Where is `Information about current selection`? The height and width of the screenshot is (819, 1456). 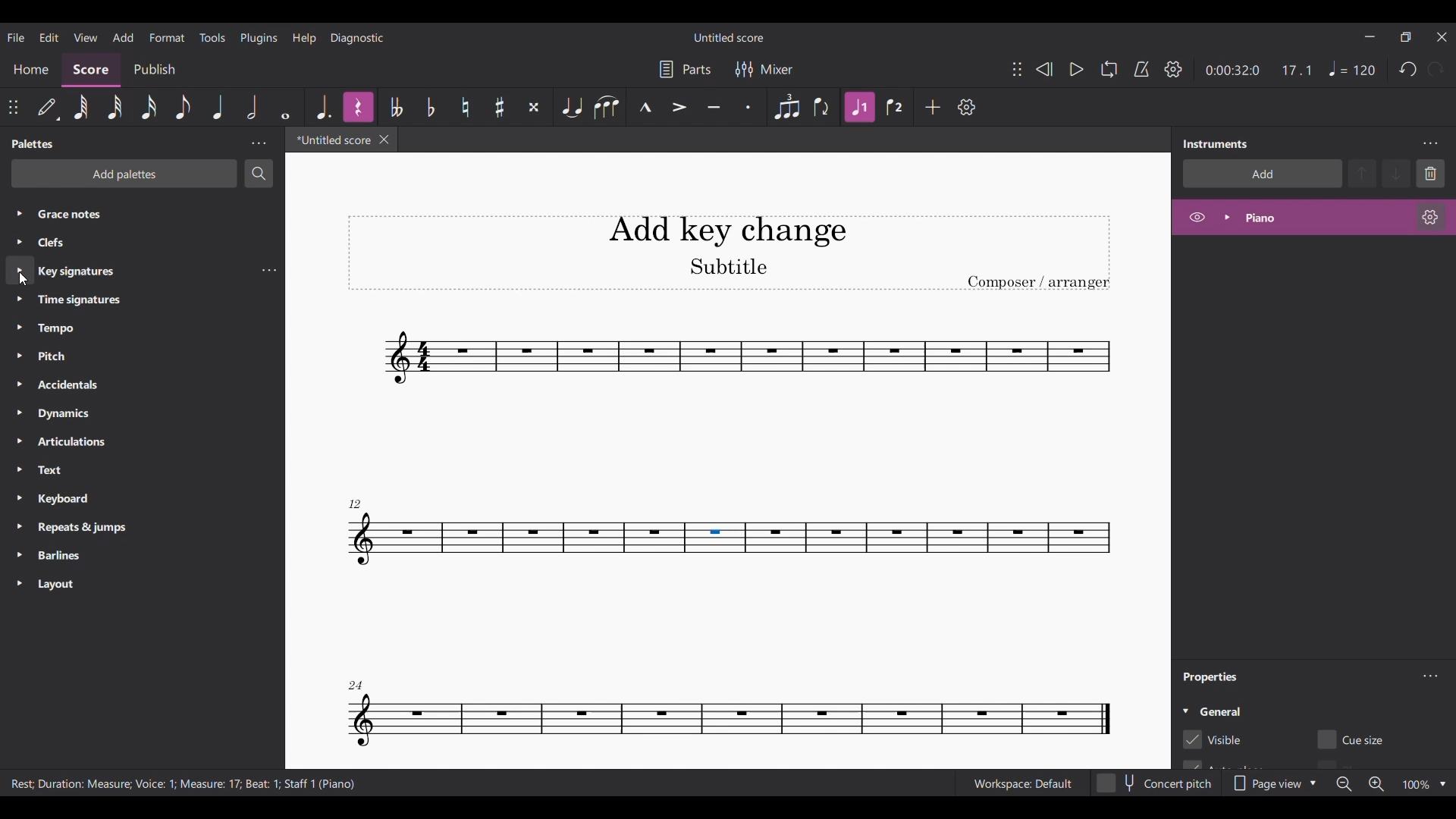 Information about current selection is located at coordinates (185, 783).